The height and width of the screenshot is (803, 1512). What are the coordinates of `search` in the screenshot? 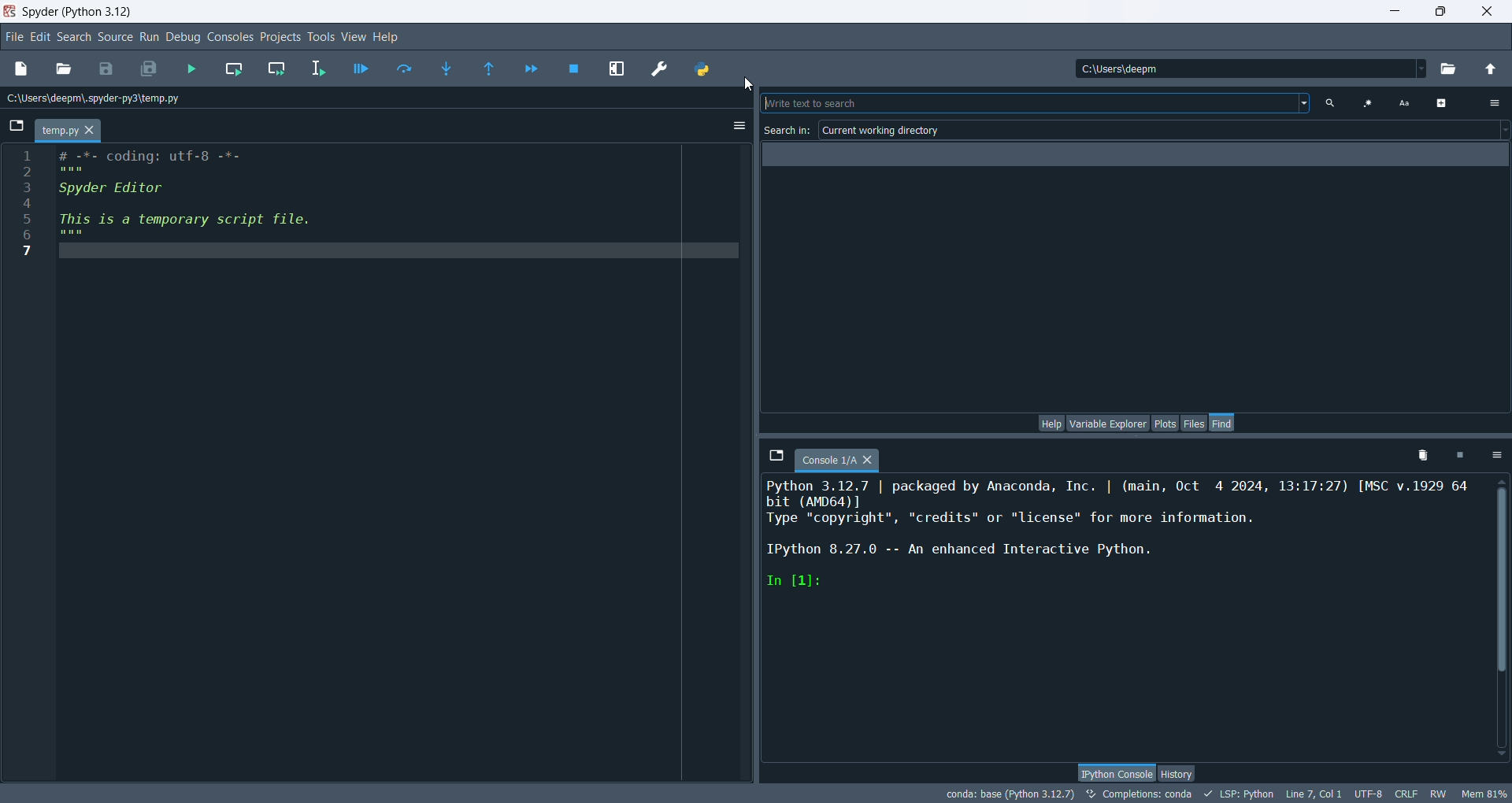 It's located at (75, 36).